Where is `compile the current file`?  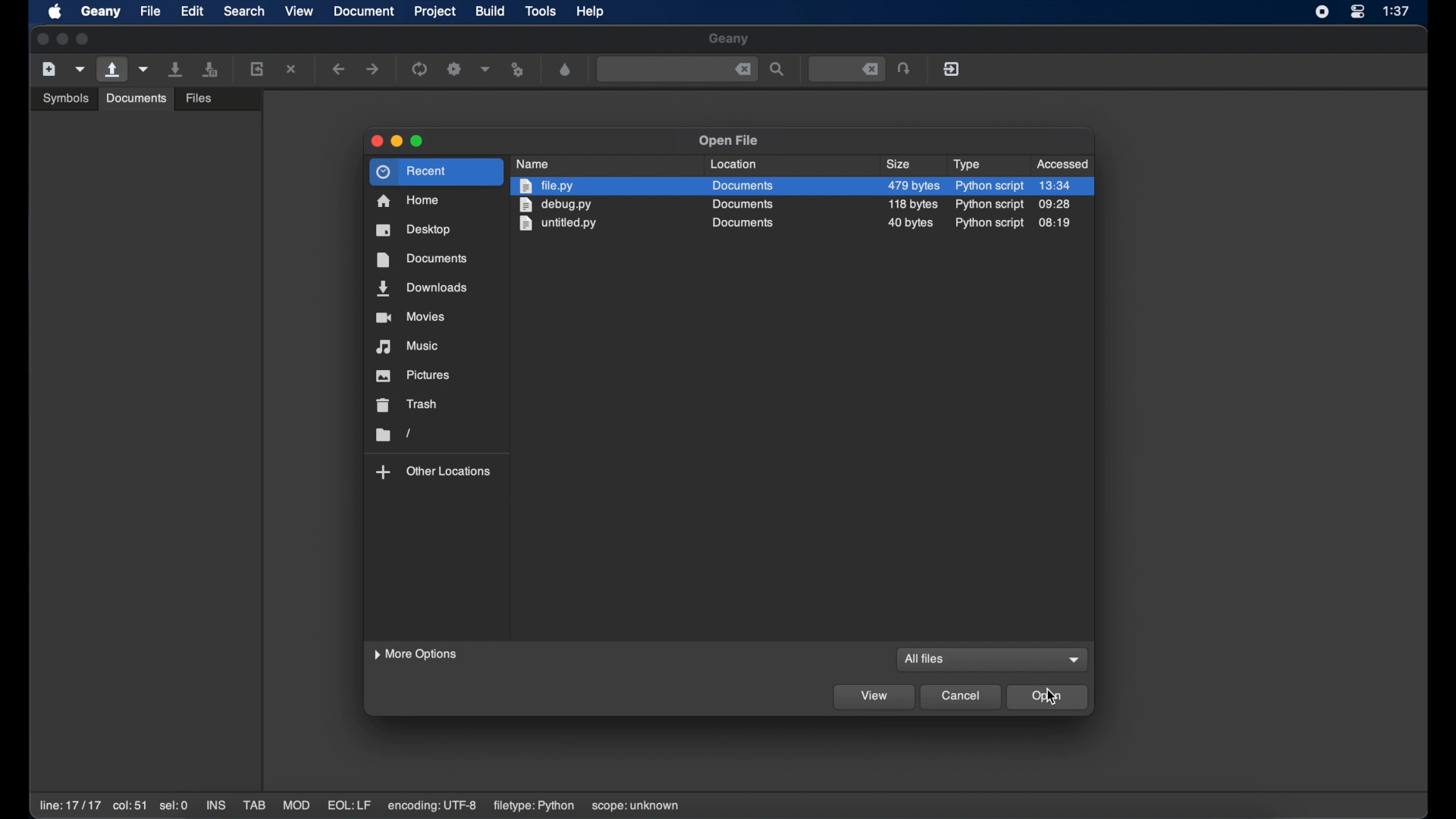 compile the current file is located at coordinates (420, 68).